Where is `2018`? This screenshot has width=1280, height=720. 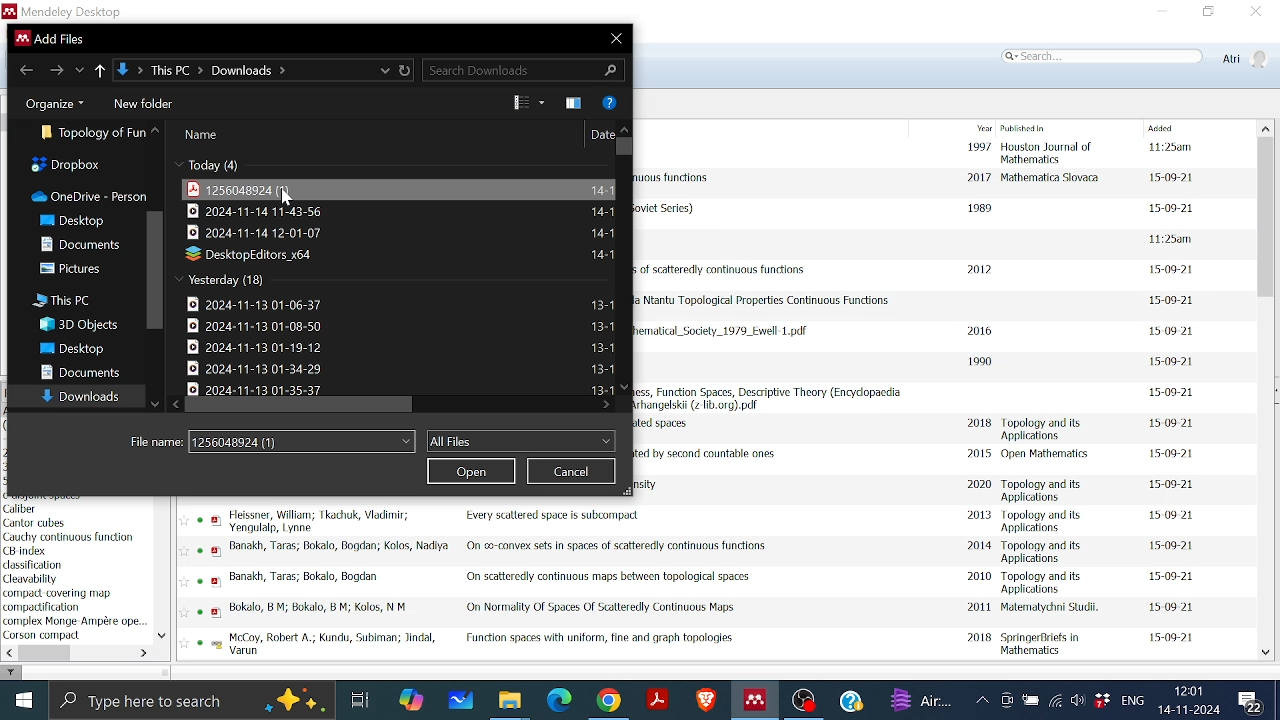 2018 is located at coordinates (979, 639).